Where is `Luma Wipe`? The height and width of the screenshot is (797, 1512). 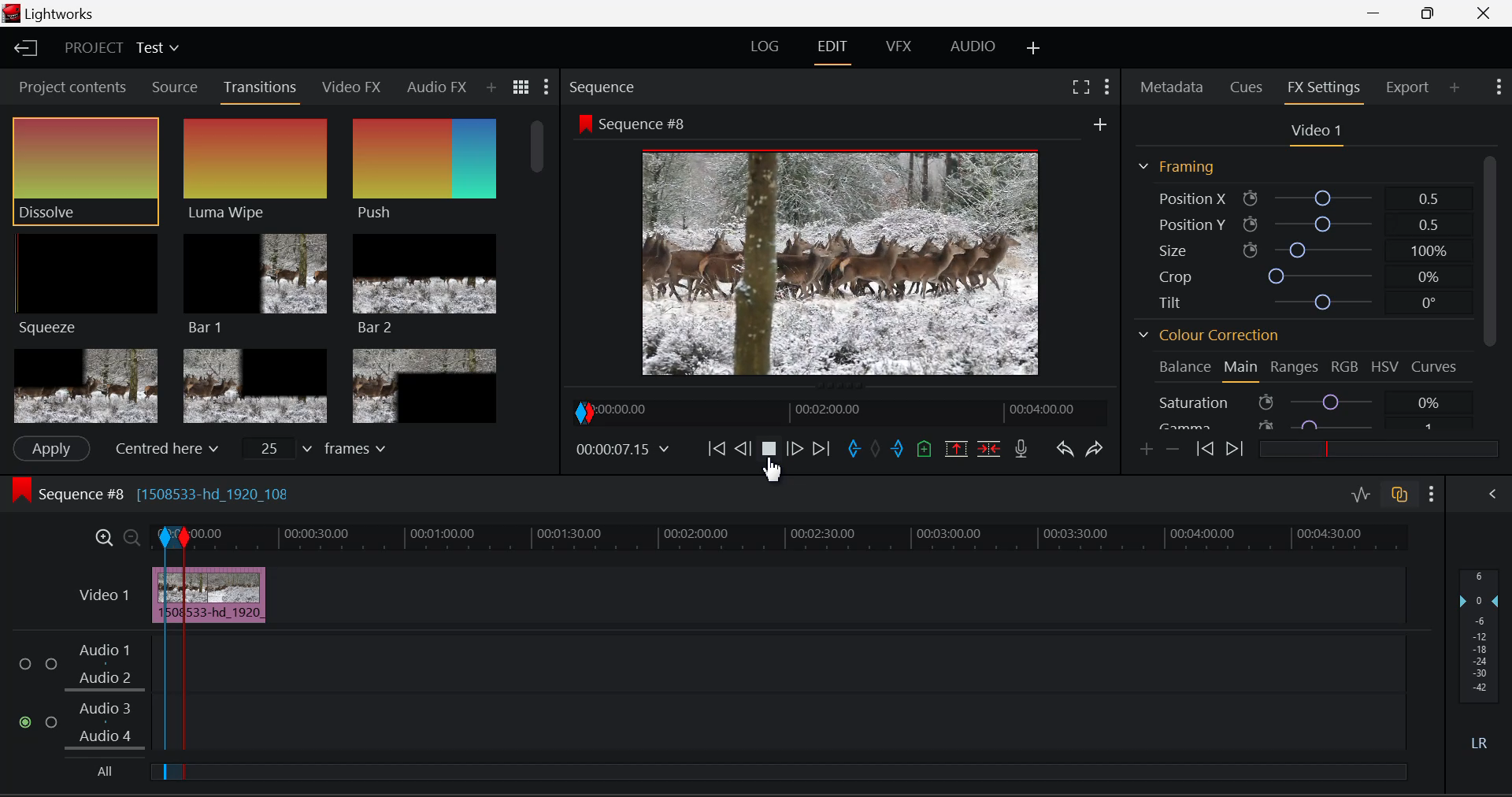 Luma Wipe is located at coordinates (256, 170).